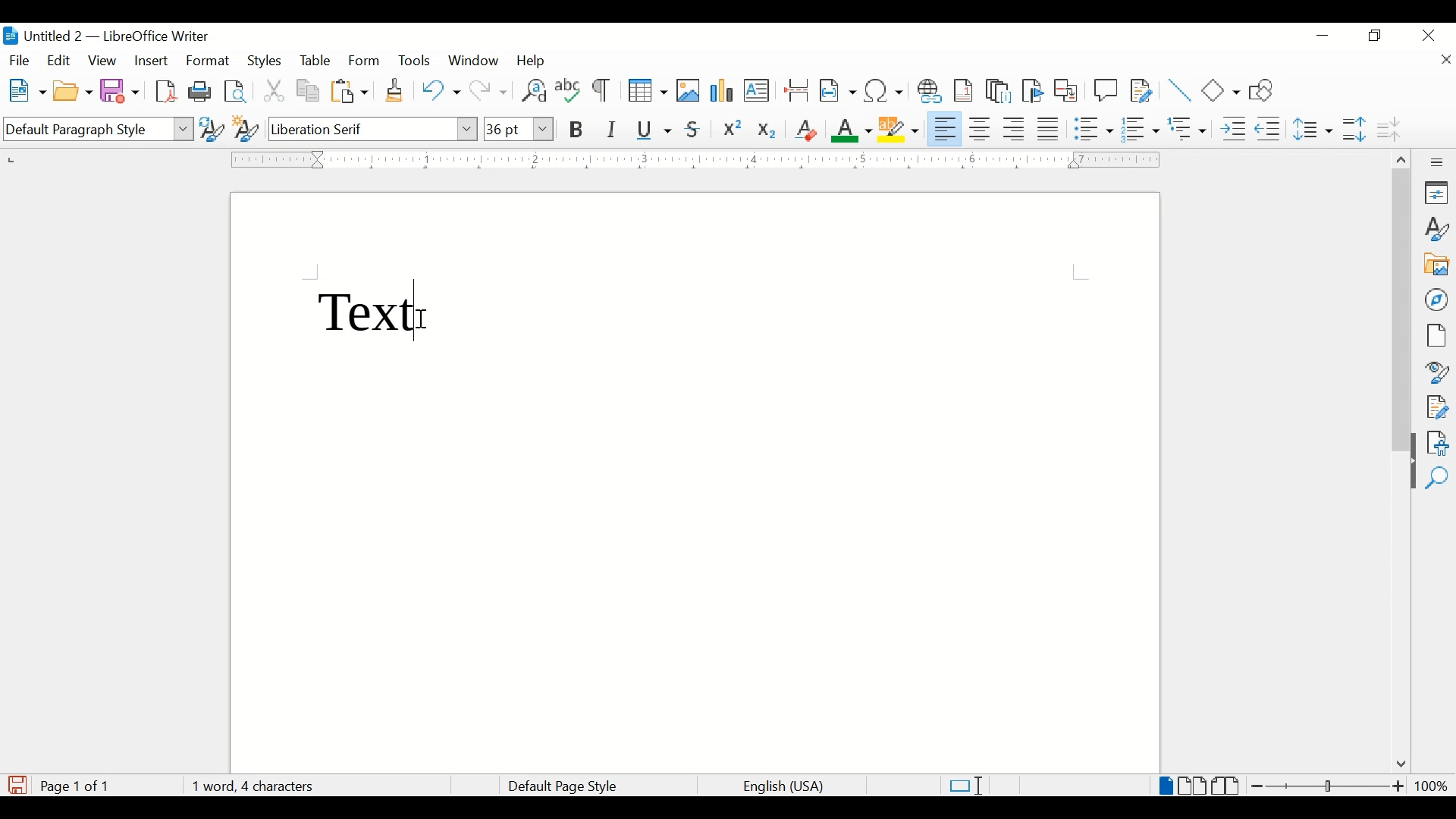  I want to click on align center, so click(982, 129).